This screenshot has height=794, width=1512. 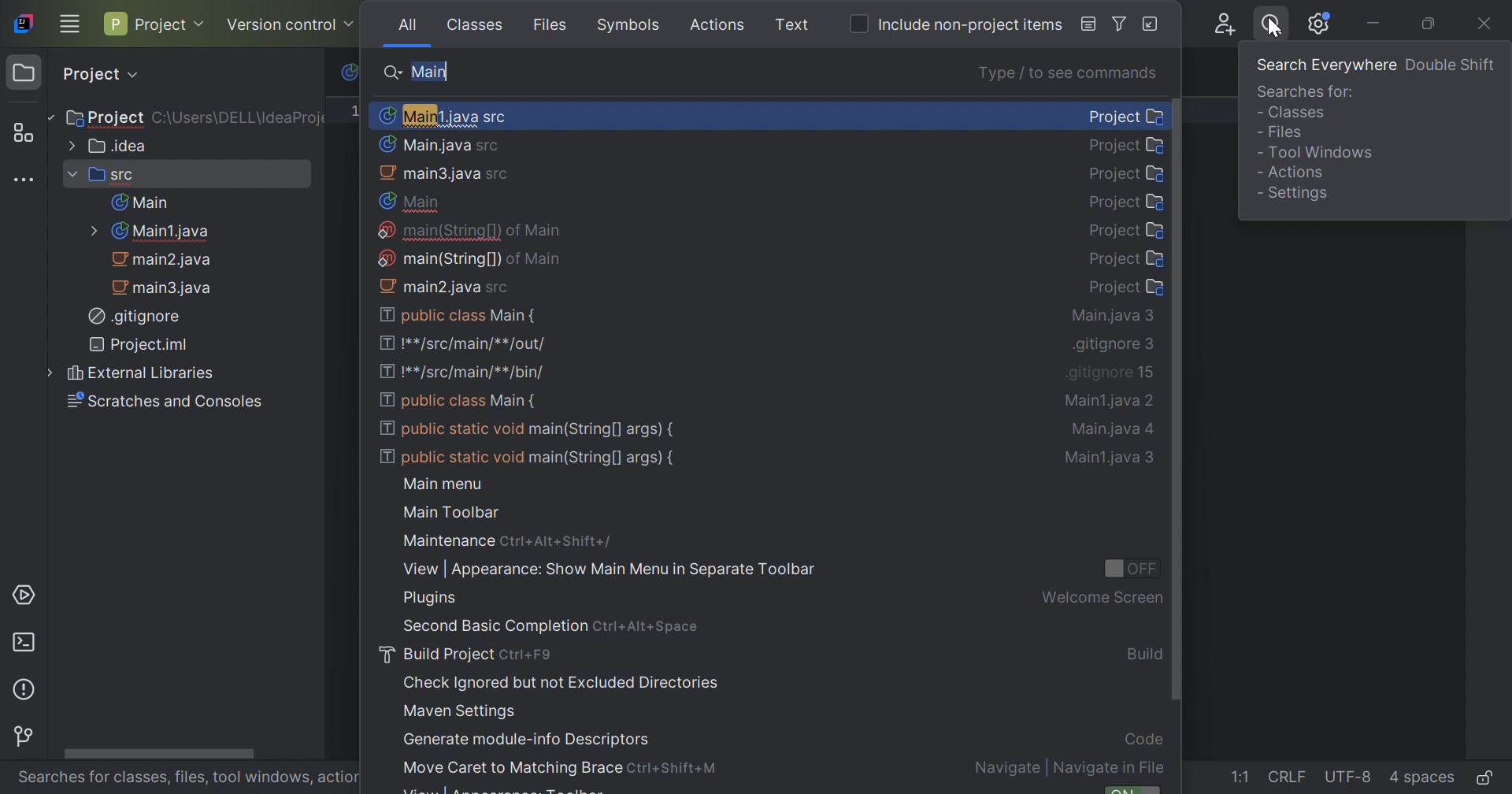 What do you see at coordinates (528, 430) in the screenshot?
I see `public static voic main(String[]args)` at bounding box center [528, 430].